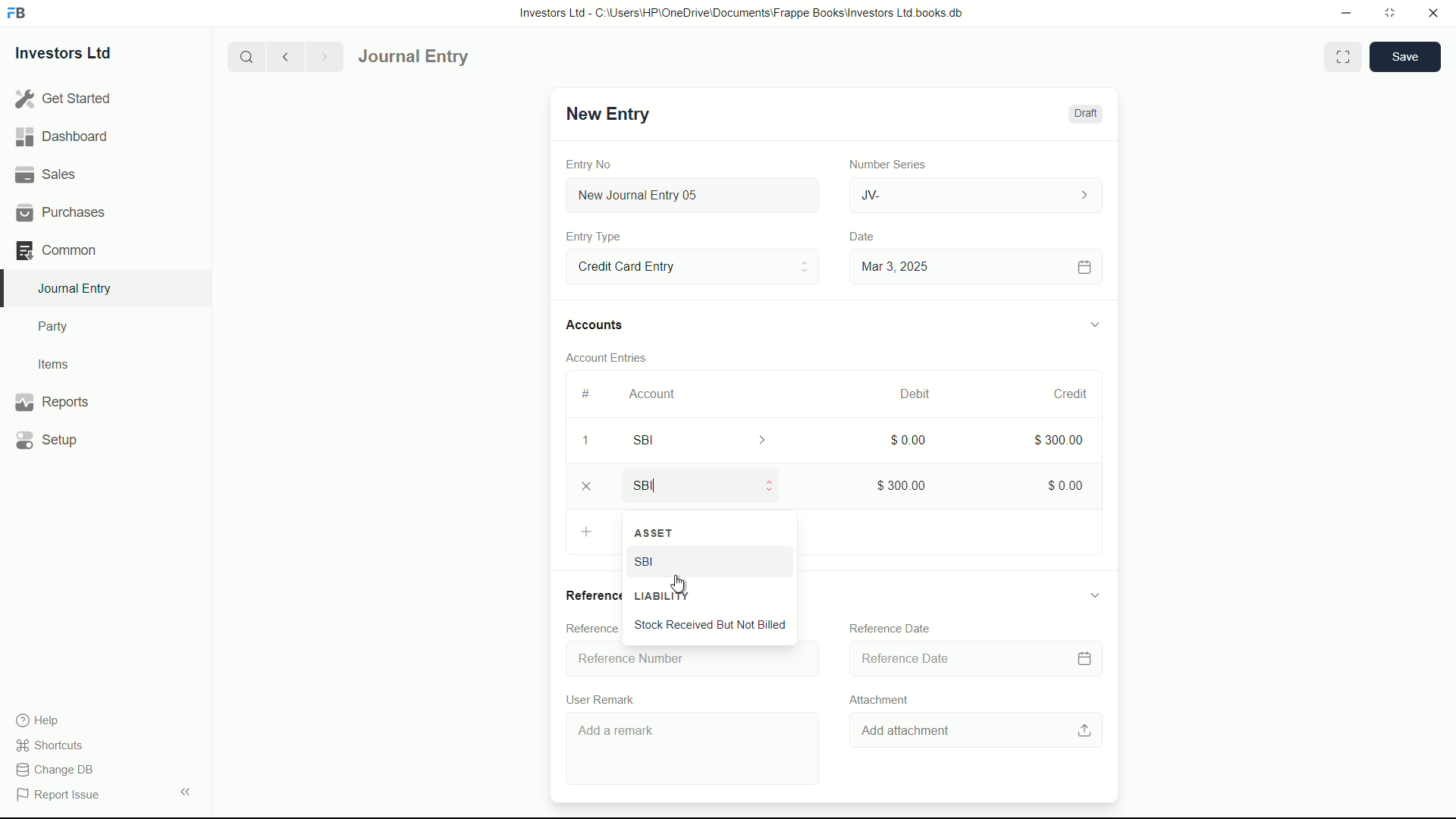 The image size is (1456, 819). What do you see at coordinates (585, 443) in the screenshot?
I see `1` at bounding box center [585, 443].